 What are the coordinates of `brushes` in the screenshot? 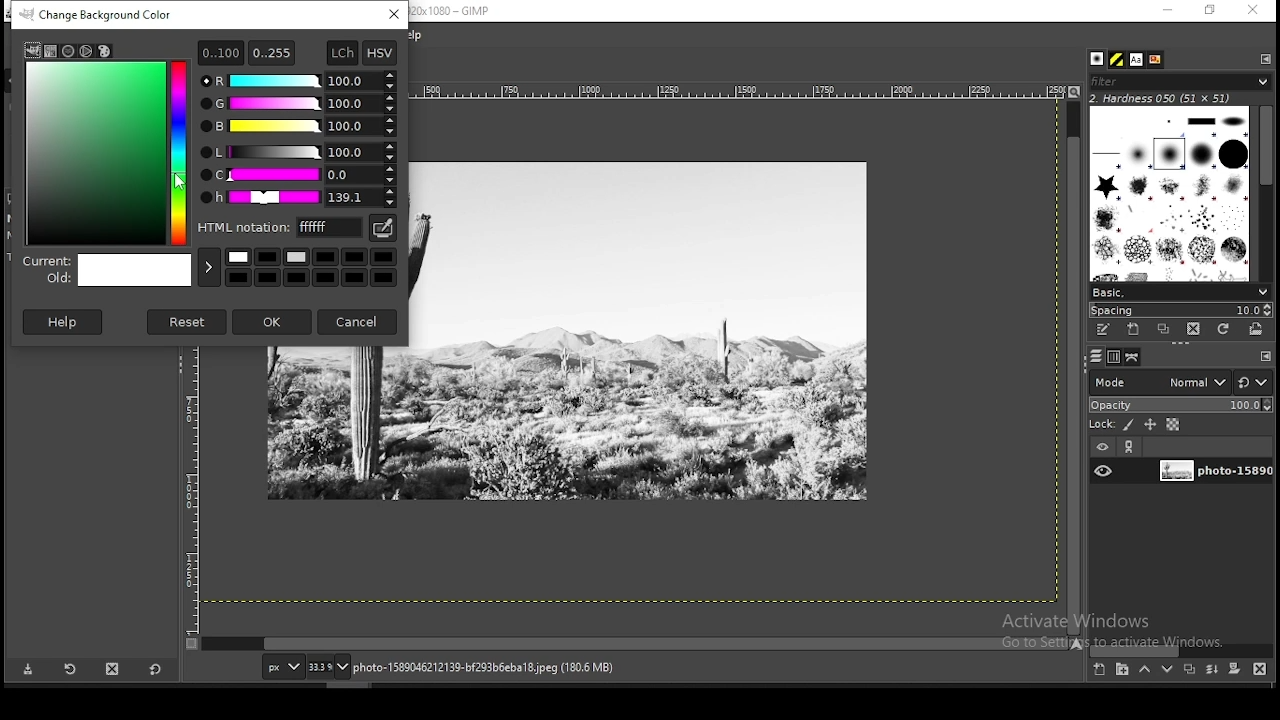 It's located at (1171, 193).